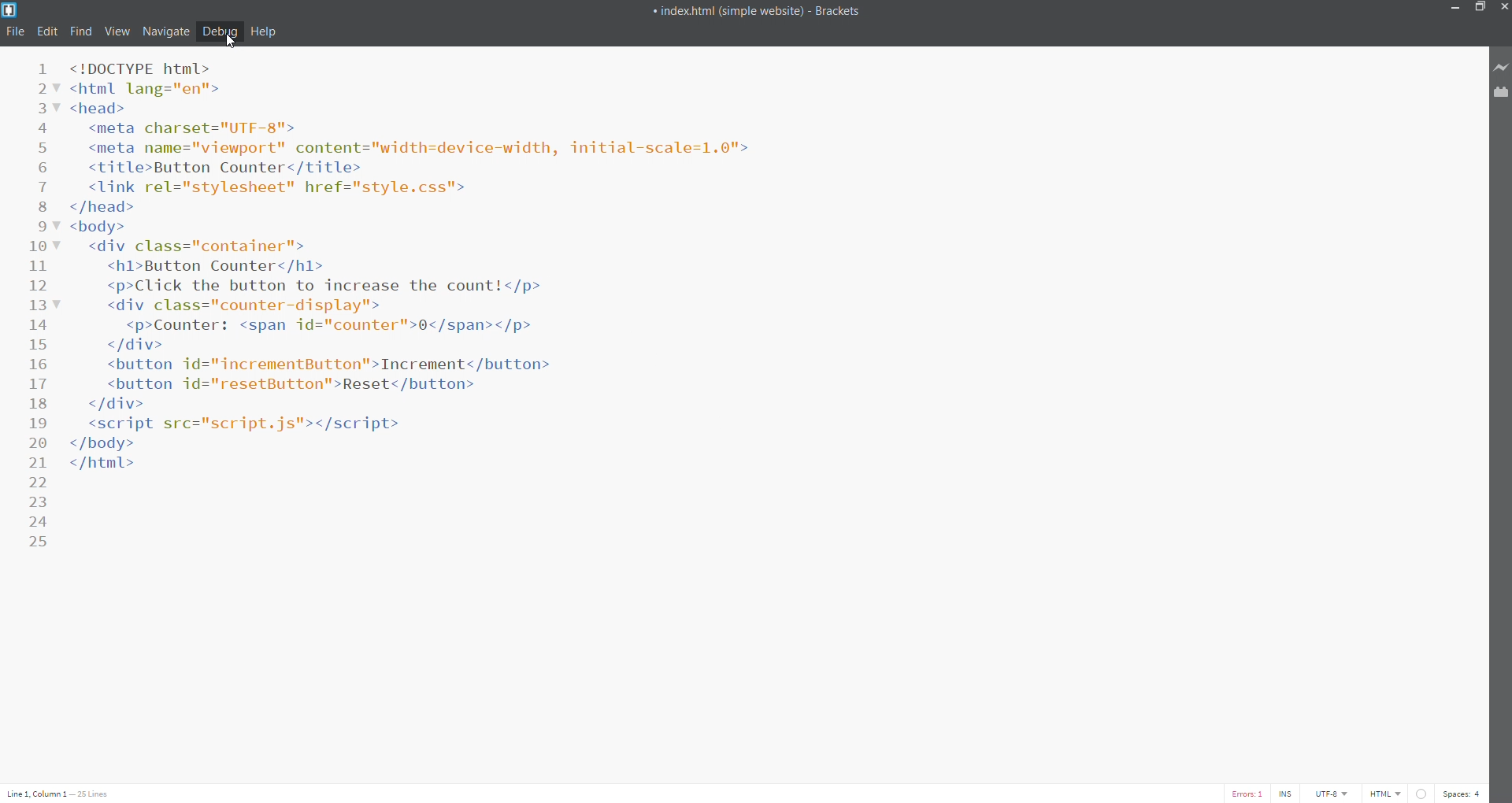  I want to click on error count, so click(1240, 794).